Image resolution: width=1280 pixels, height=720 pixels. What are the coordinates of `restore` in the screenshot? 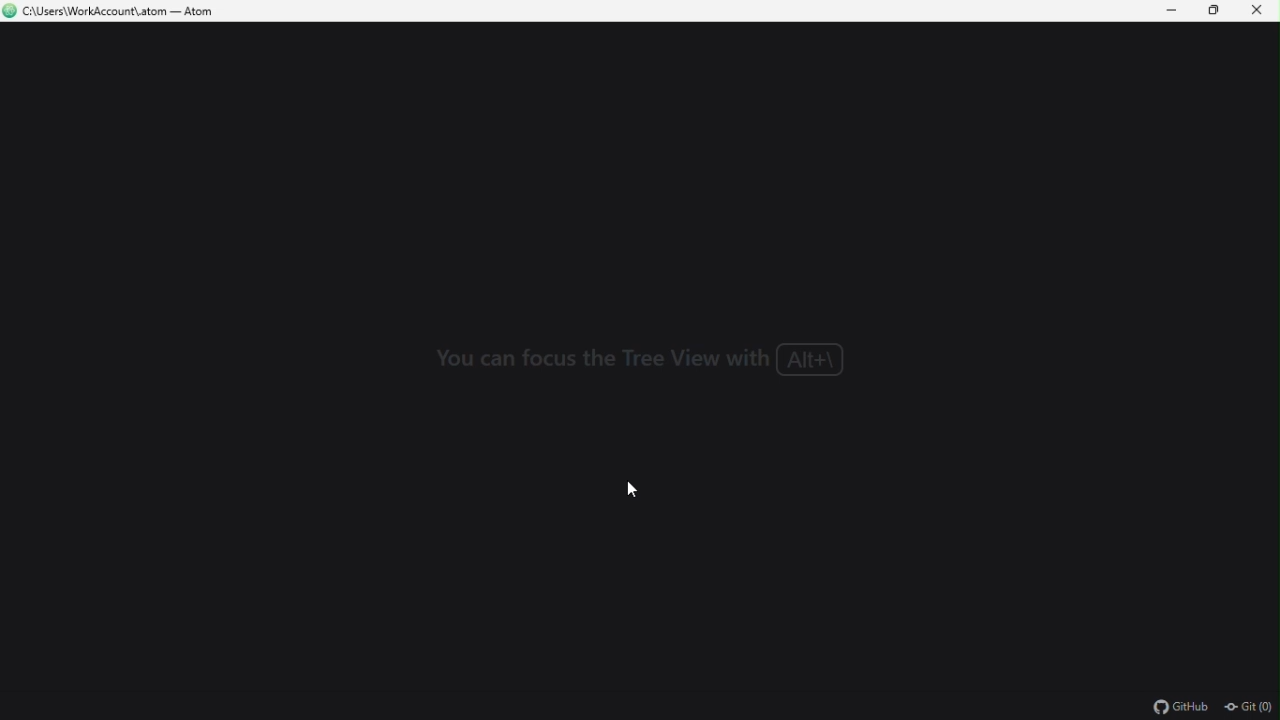 It's located at (1219, 12).